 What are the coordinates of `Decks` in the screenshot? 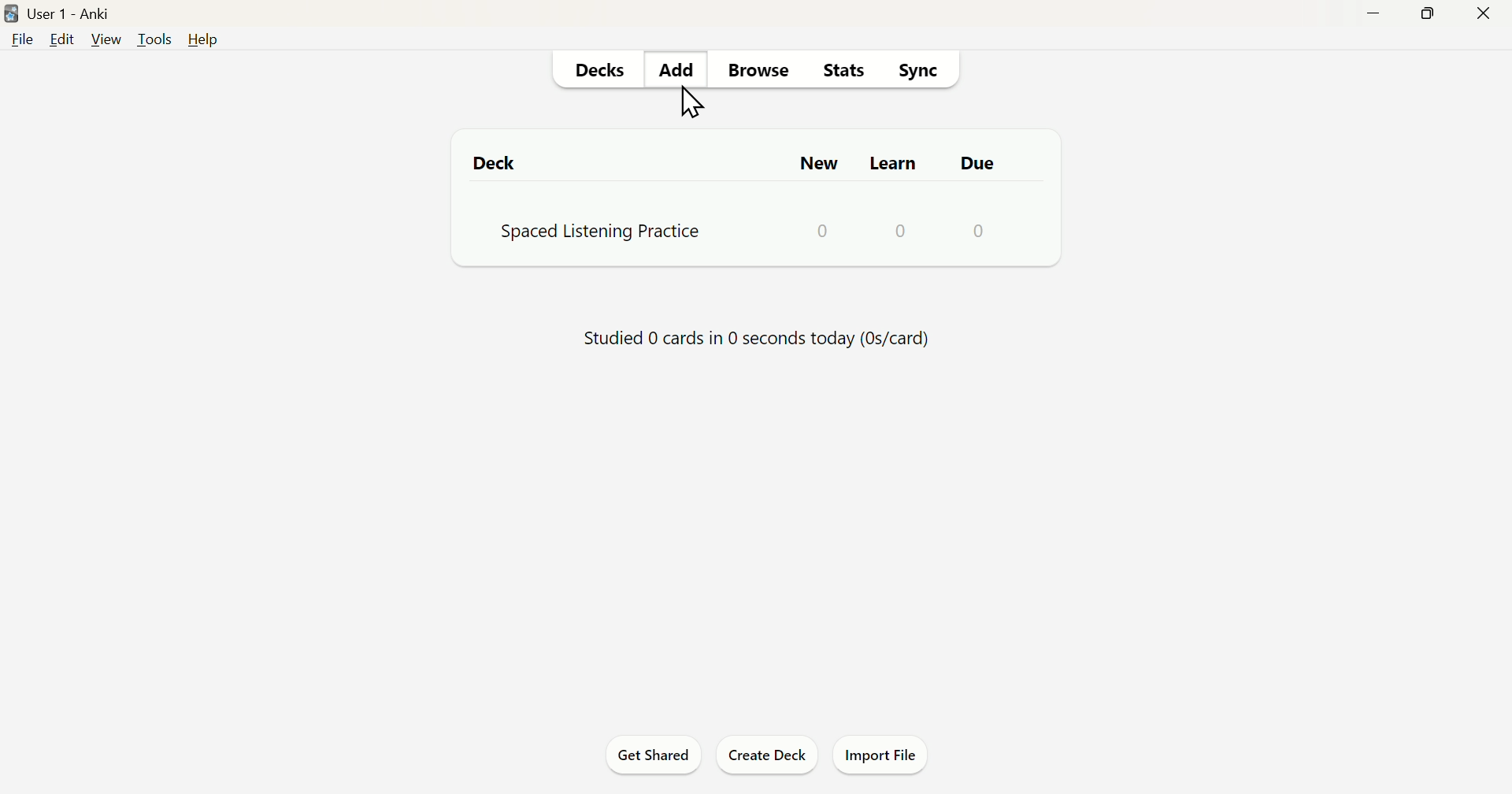 It's located at (598, 69).